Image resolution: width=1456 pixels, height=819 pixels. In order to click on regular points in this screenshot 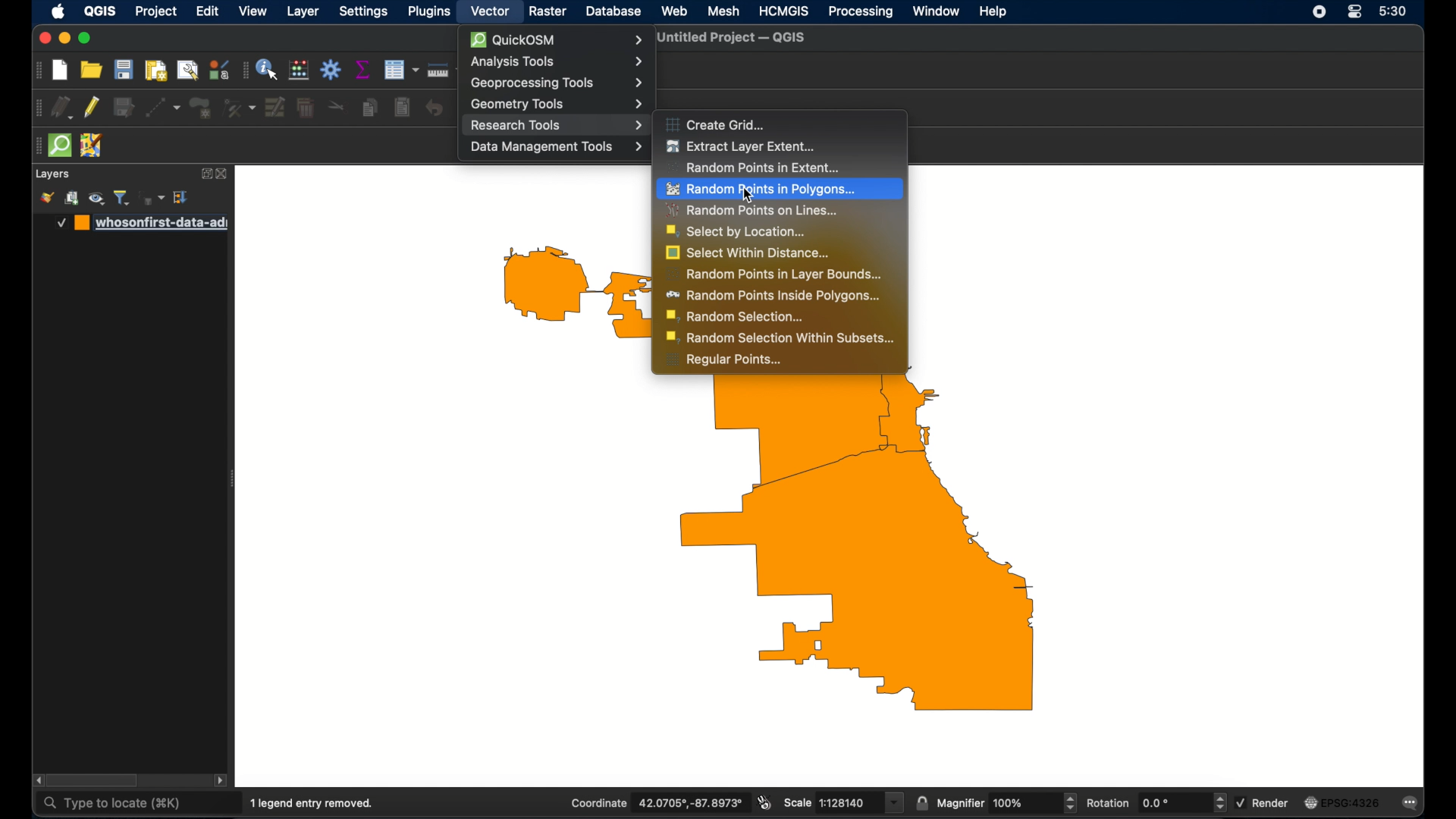, I will do `click(724, 361)`.